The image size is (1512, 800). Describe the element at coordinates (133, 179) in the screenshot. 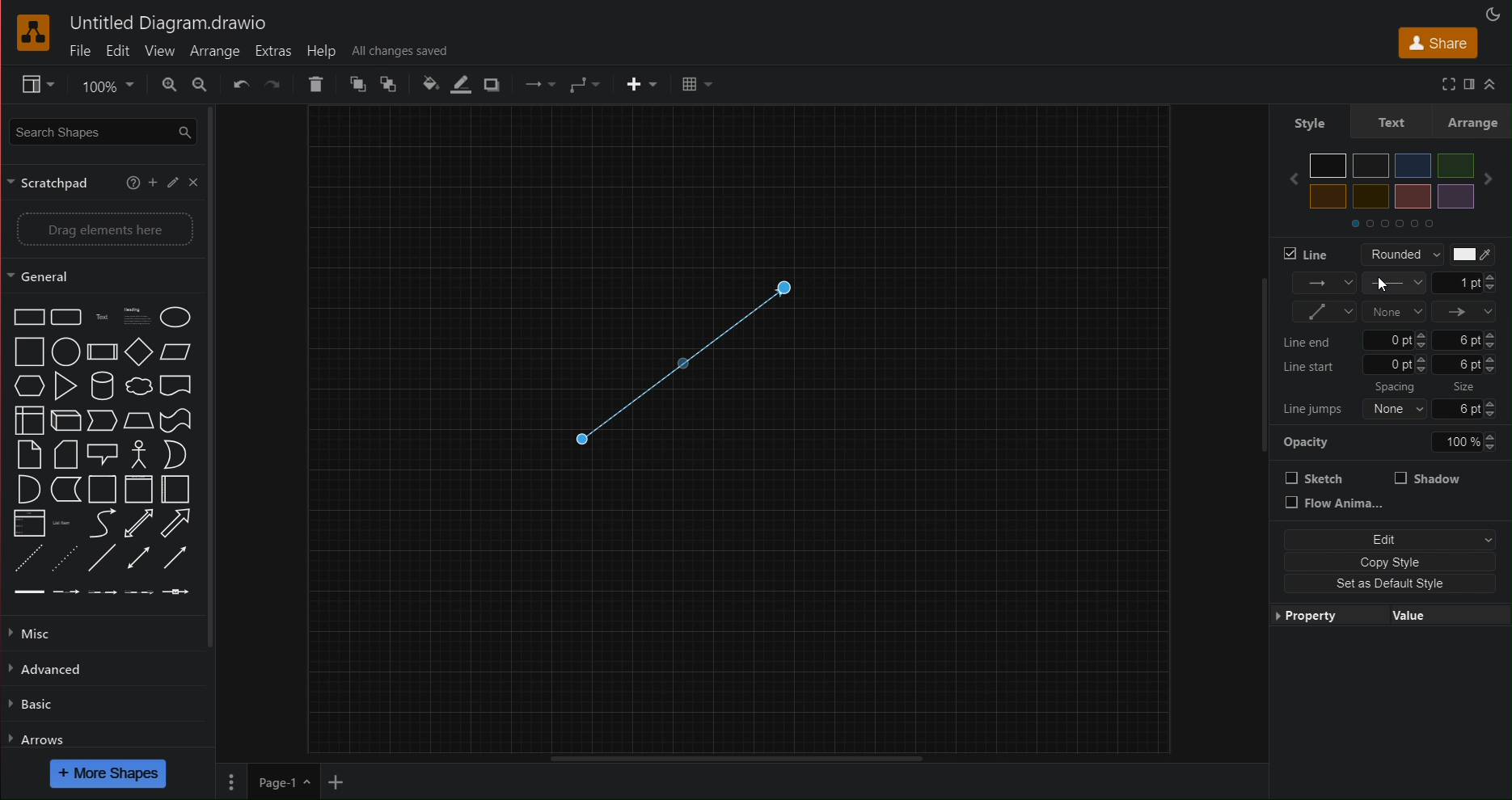

I see `Help` at that location.